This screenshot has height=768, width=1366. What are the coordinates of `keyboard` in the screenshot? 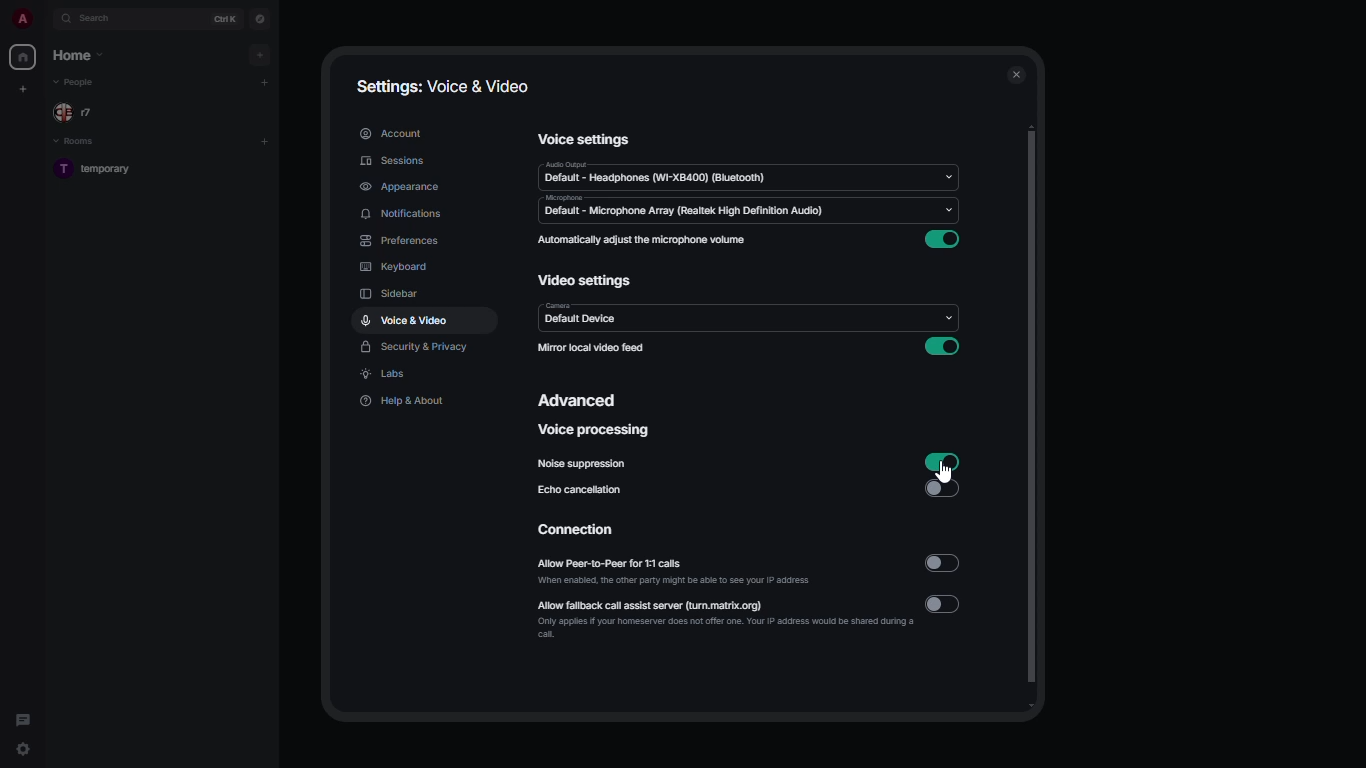 It's located at (396, 268).